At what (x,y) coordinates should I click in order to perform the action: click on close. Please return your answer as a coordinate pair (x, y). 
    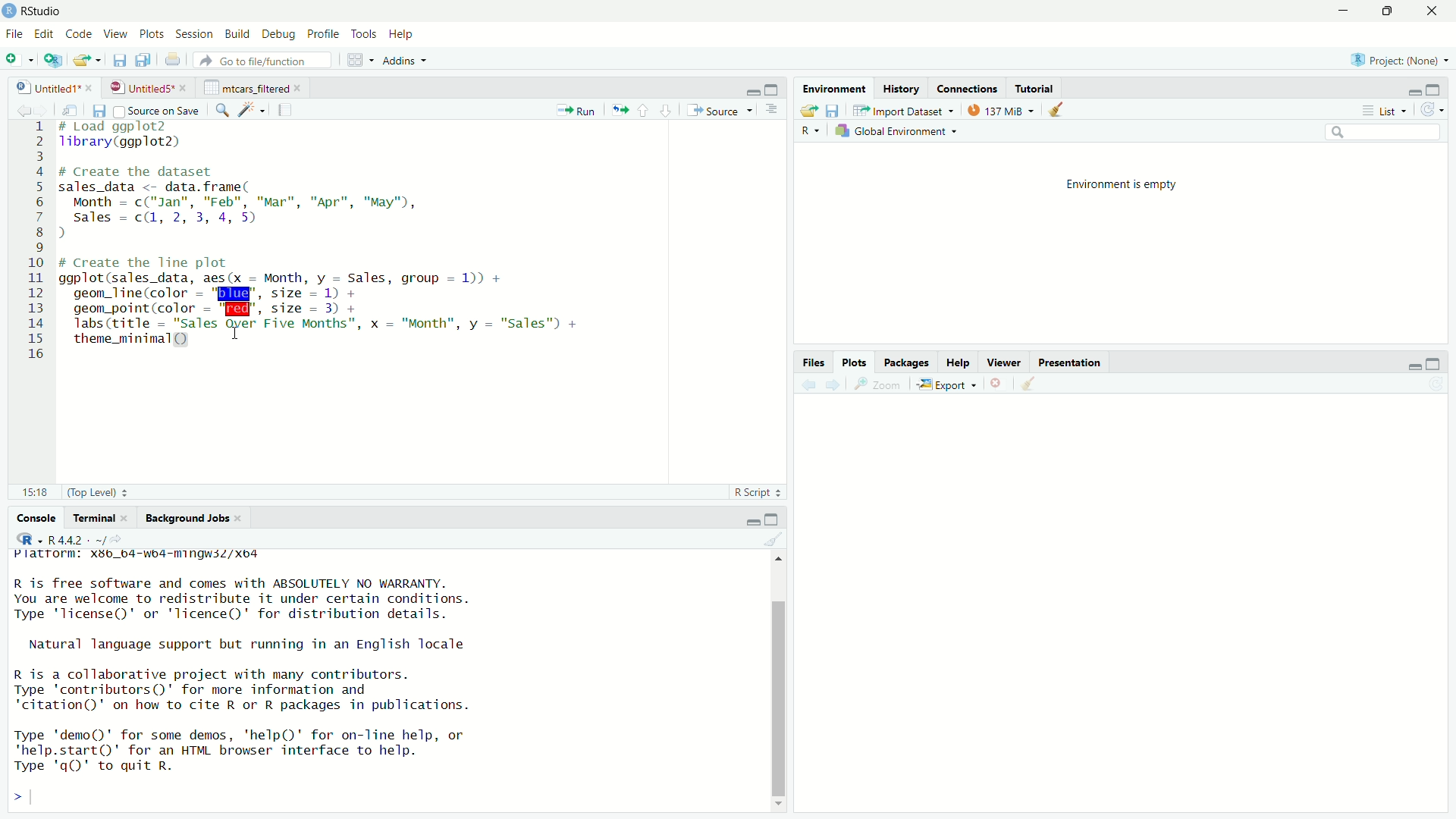
    Looking at the image, I should click on (89, 87).